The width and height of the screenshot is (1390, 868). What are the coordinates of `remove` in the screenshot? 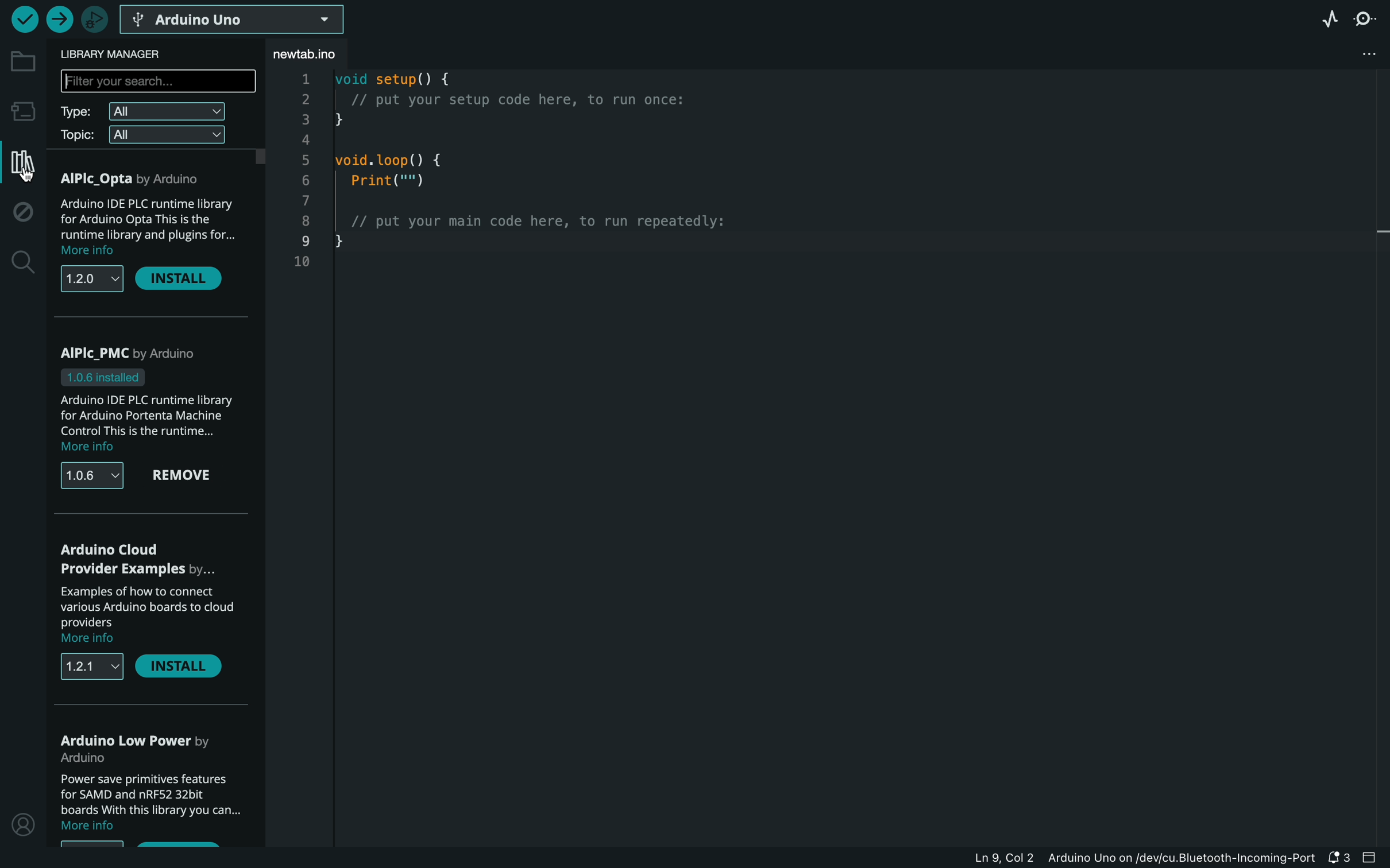 It's located at (187, 476).